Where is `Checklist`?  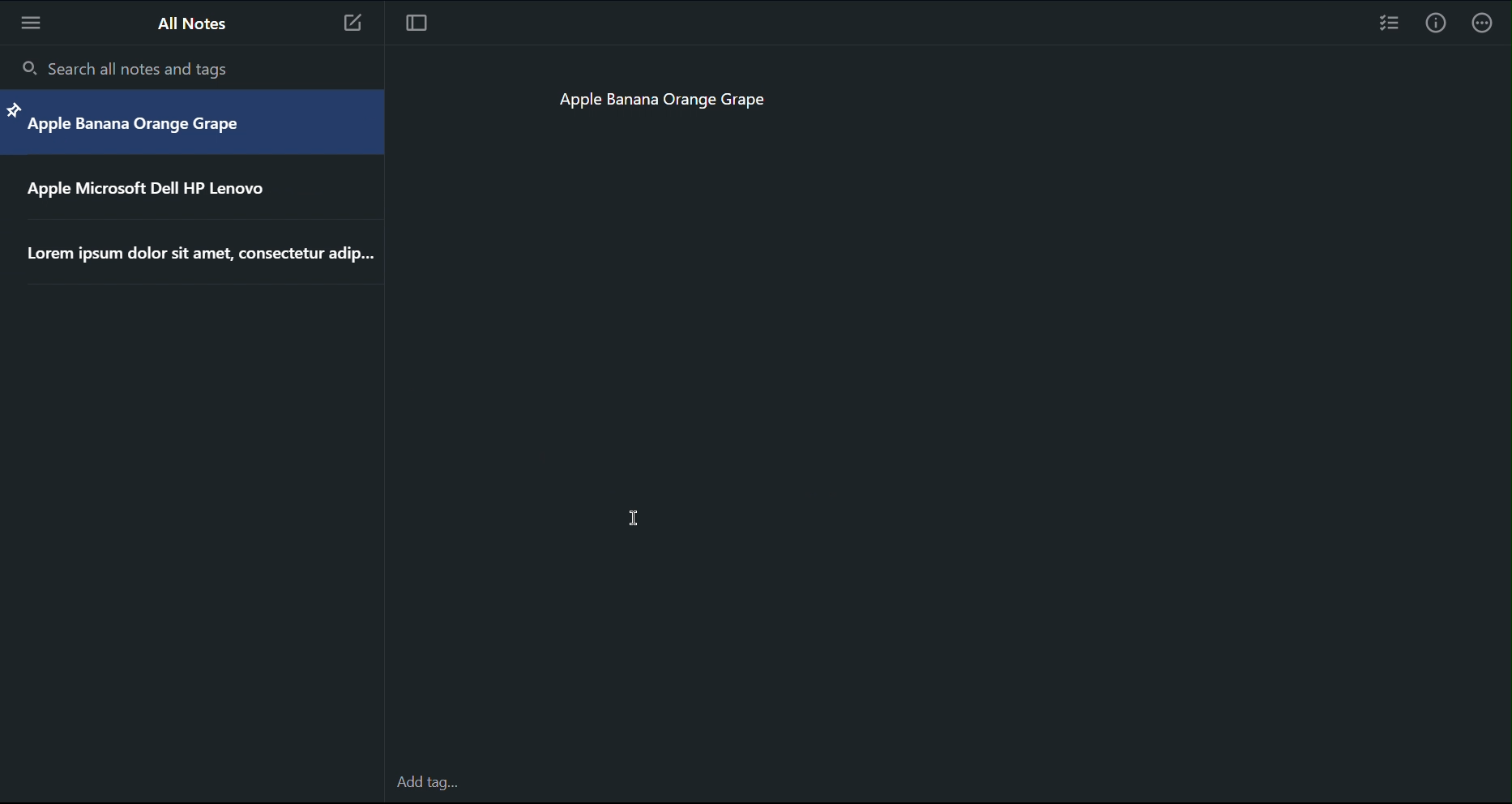 Checklist is located at coordinates (1388, 23).